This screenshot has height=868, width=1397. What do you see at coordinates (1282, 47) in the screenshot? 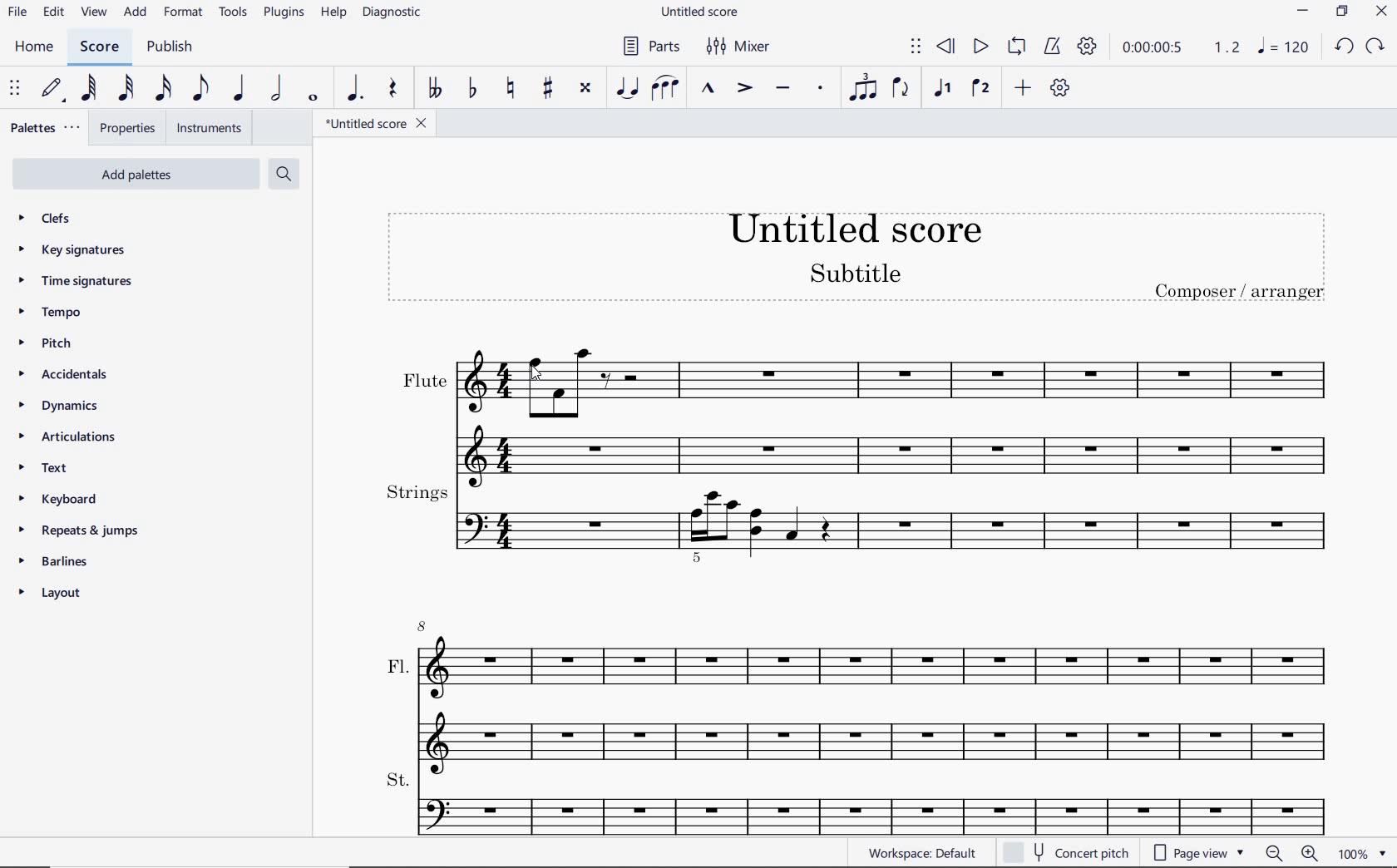
I see `note` at bounding box center [1282, 47].